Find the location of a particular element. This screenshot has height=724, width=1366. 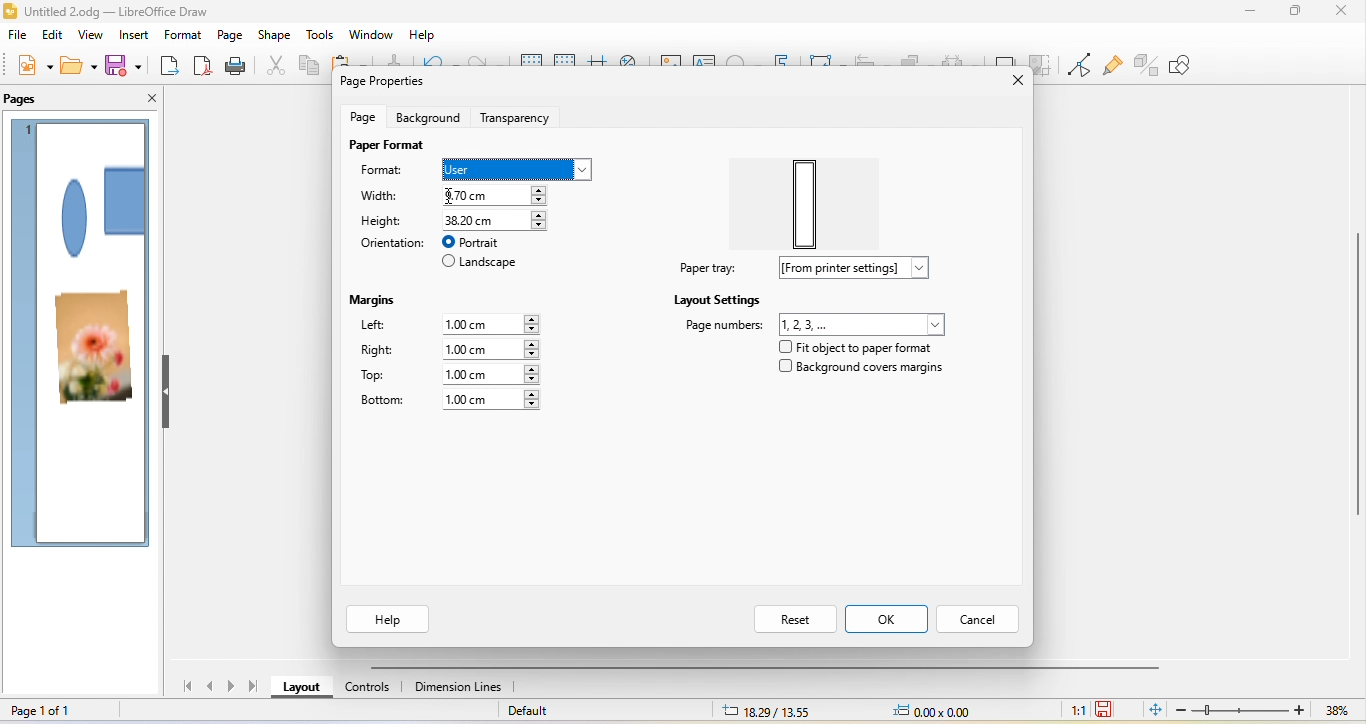

Untitled 2.odg - LibreOffice Draw is located at coordinates (119, 11).